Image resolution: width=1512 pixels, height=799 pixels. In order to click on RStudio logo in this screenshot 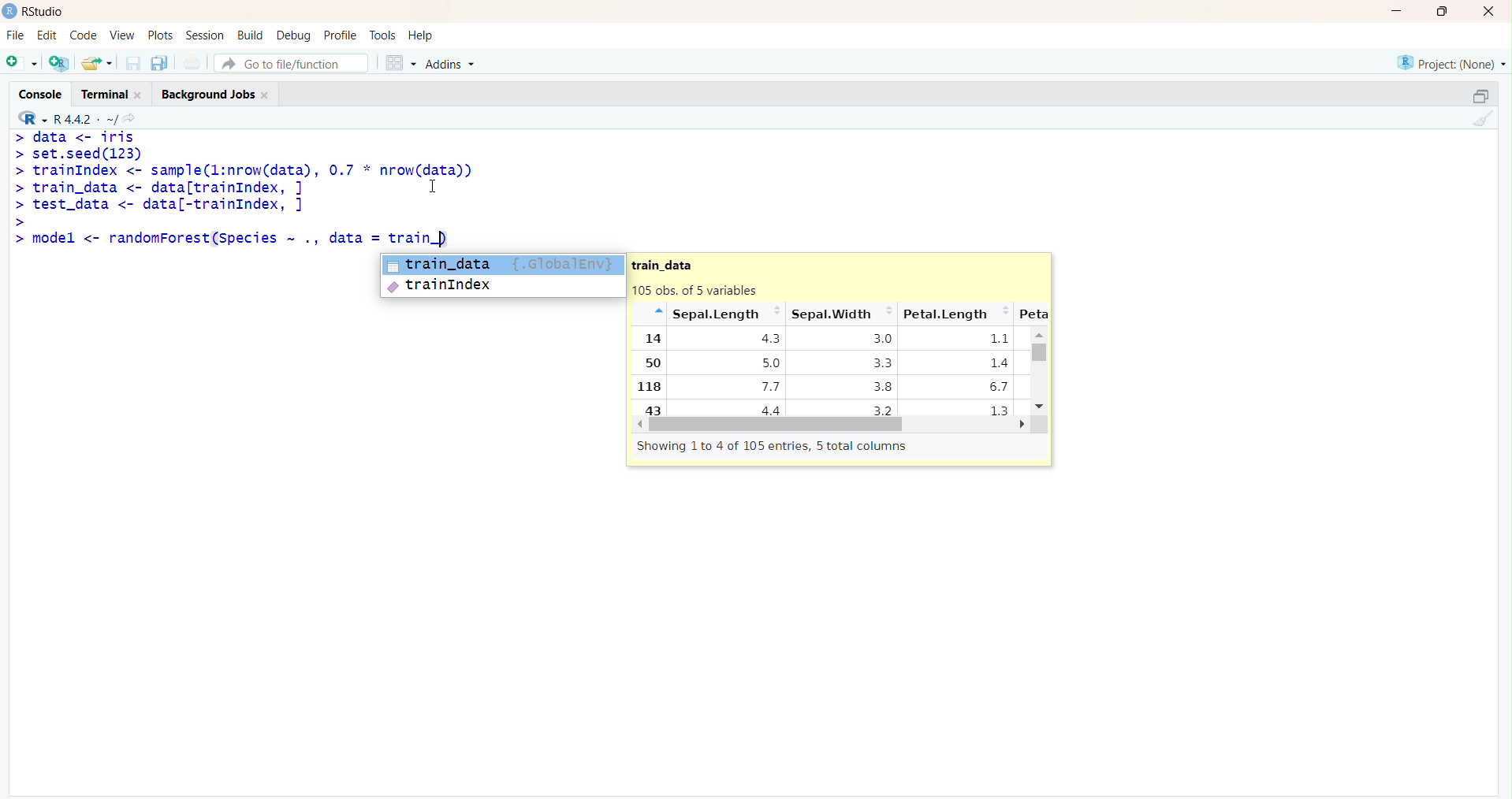, I will do `click(29, 117)`.